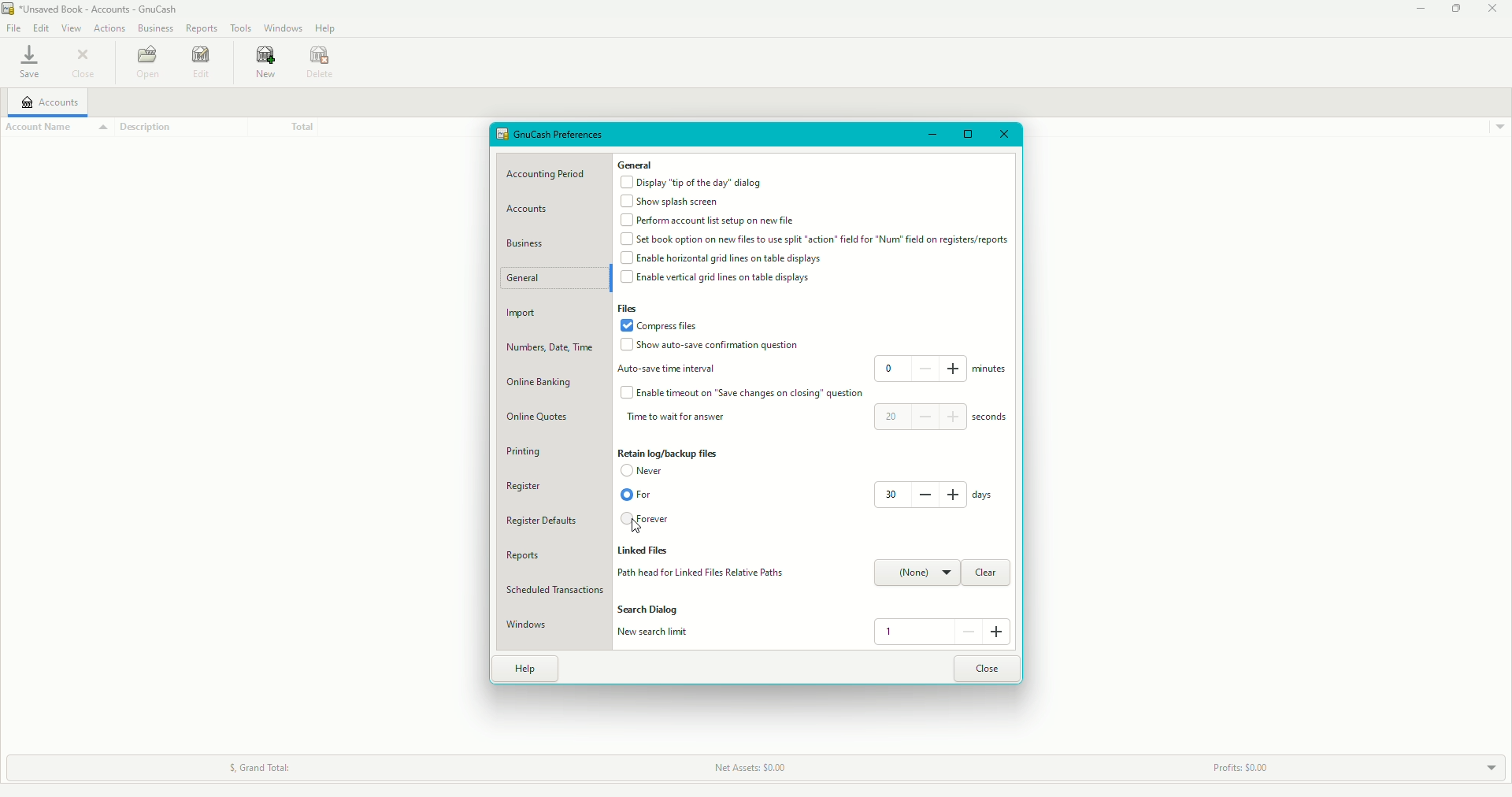 Image resolution: width=1512 pixels, height=797 pixels. I want to click on Windows, so click(286, 28).